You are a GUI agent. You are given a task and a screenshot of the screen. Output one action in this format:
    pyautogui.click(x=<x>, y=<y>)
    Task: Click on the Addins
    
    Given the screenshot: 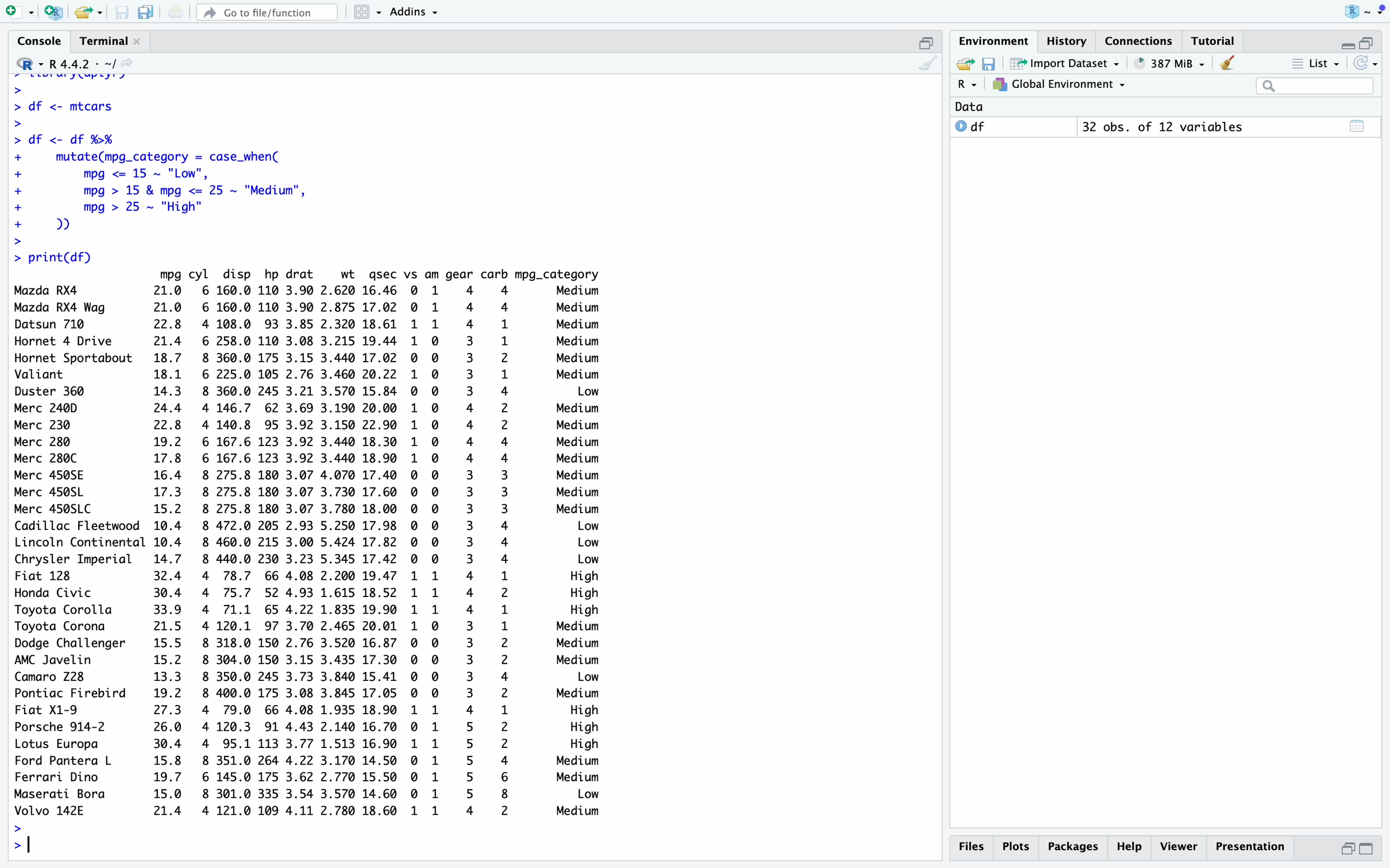 What is the action you would take?
    pyautogui.click(x=415, y=12)
    